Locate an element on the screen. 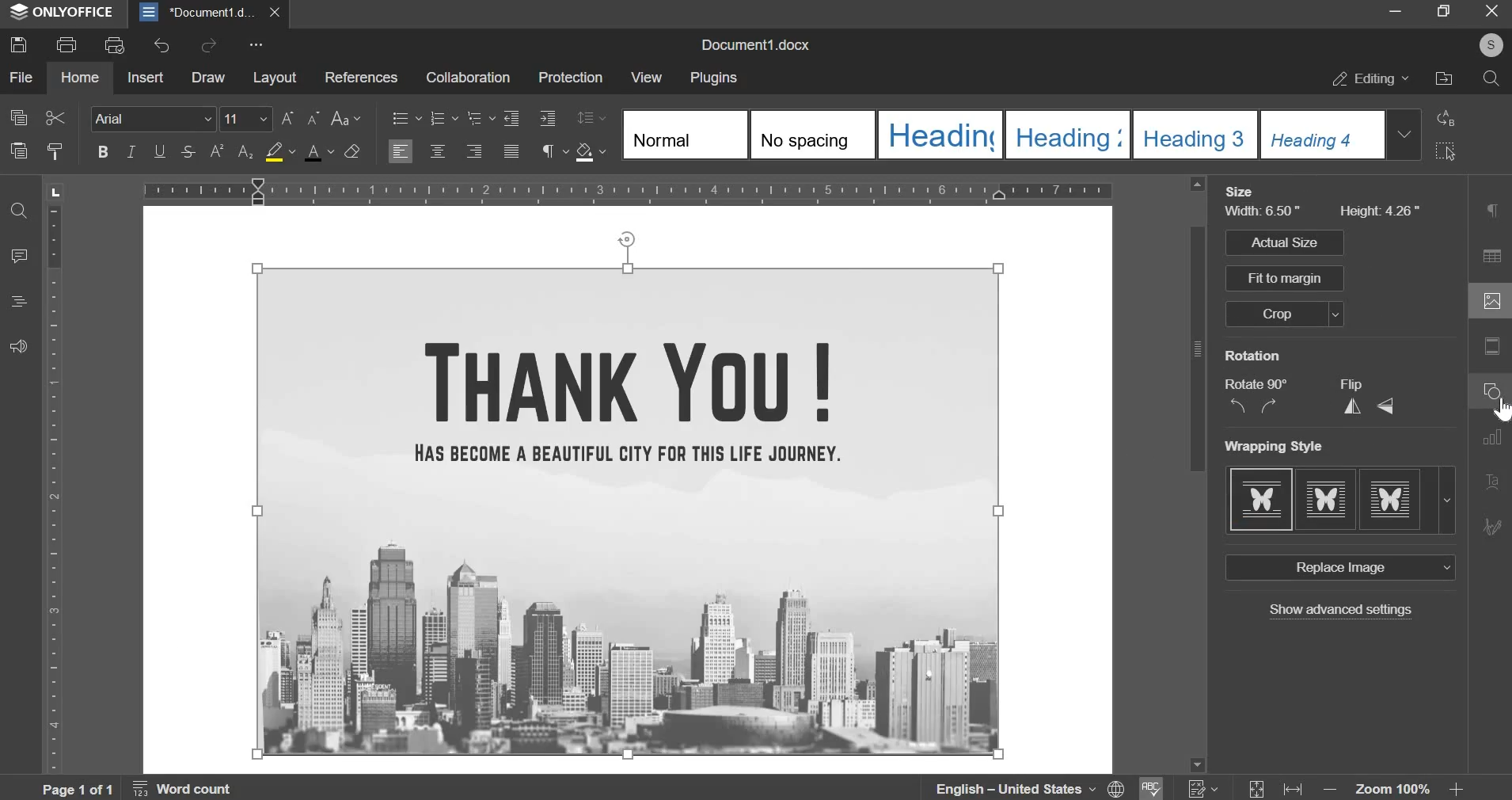 This screenshot has height=800, width=1512. layout is located at coordinates (275, 77).